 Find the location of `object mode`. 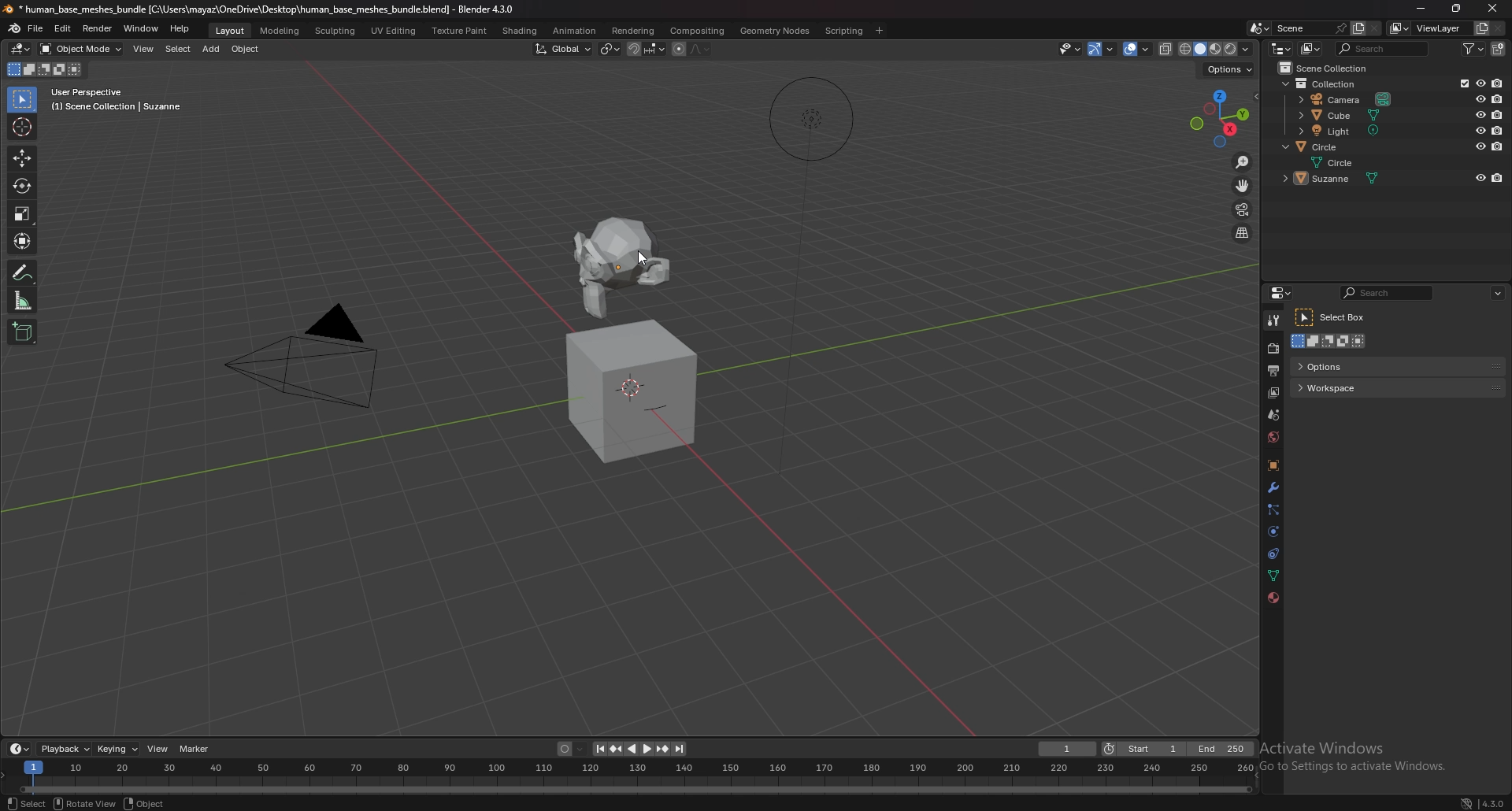

object mode is located at coordinates (81, 49).